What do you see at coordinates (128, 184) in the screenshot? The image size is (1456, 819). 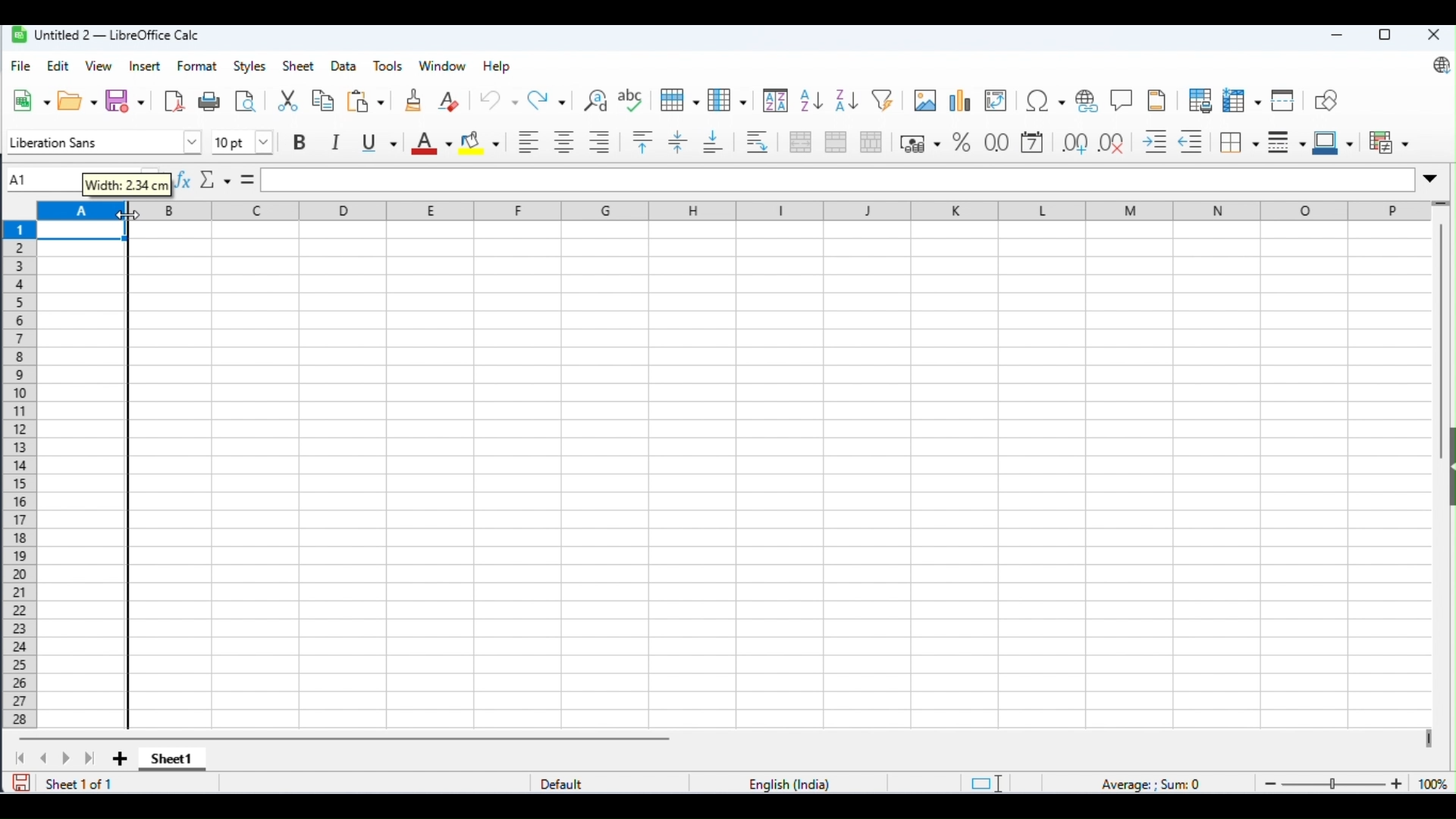 I see `width: 2.34cm` at bounding box center [128, 184].